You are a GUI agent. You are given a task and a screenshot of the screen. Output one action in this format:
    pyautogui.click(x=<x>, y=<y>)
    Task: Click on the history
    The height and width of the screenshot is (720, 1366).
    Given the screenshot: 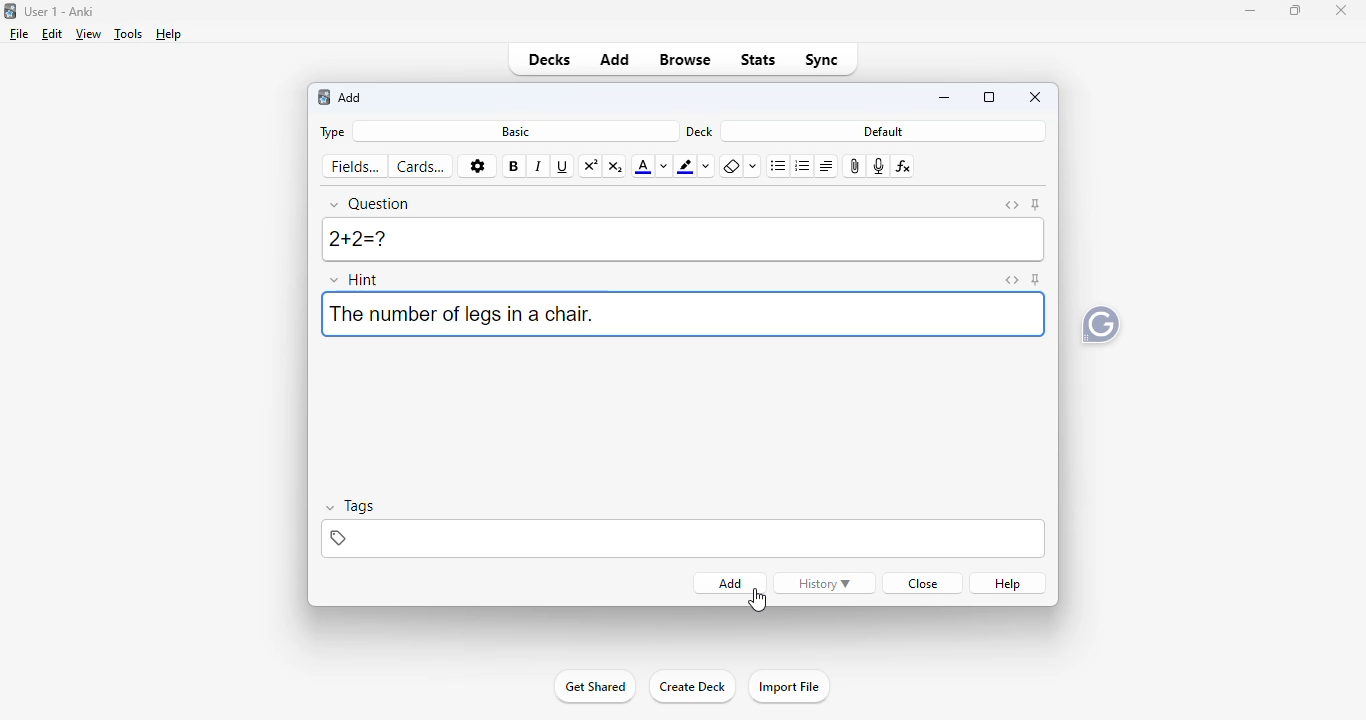 What is the action you would take?
    pyautogui.click(x=824, y=584)
    